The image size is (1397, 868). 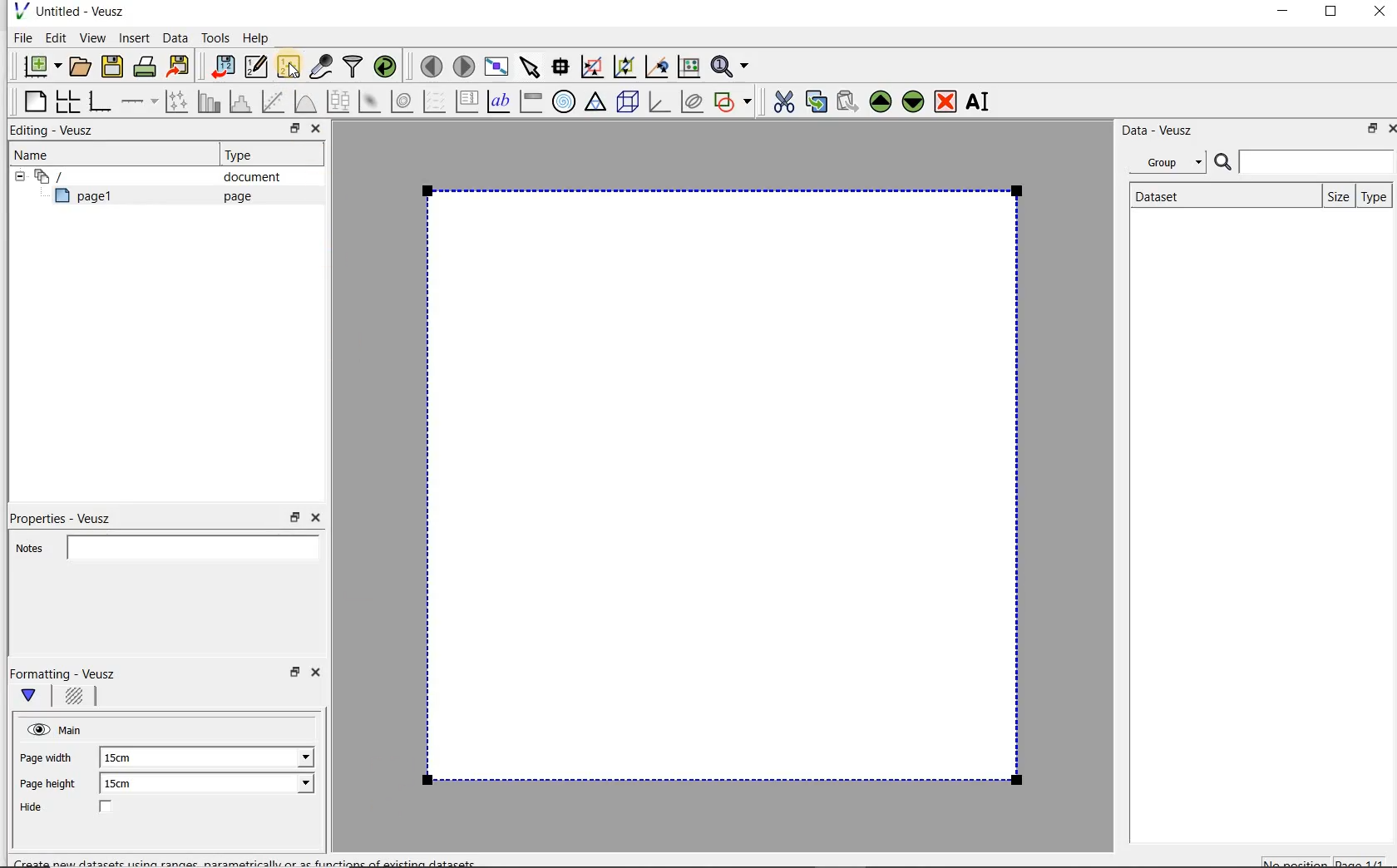 I want to click on Dataset, so click(x=1166, y=195).